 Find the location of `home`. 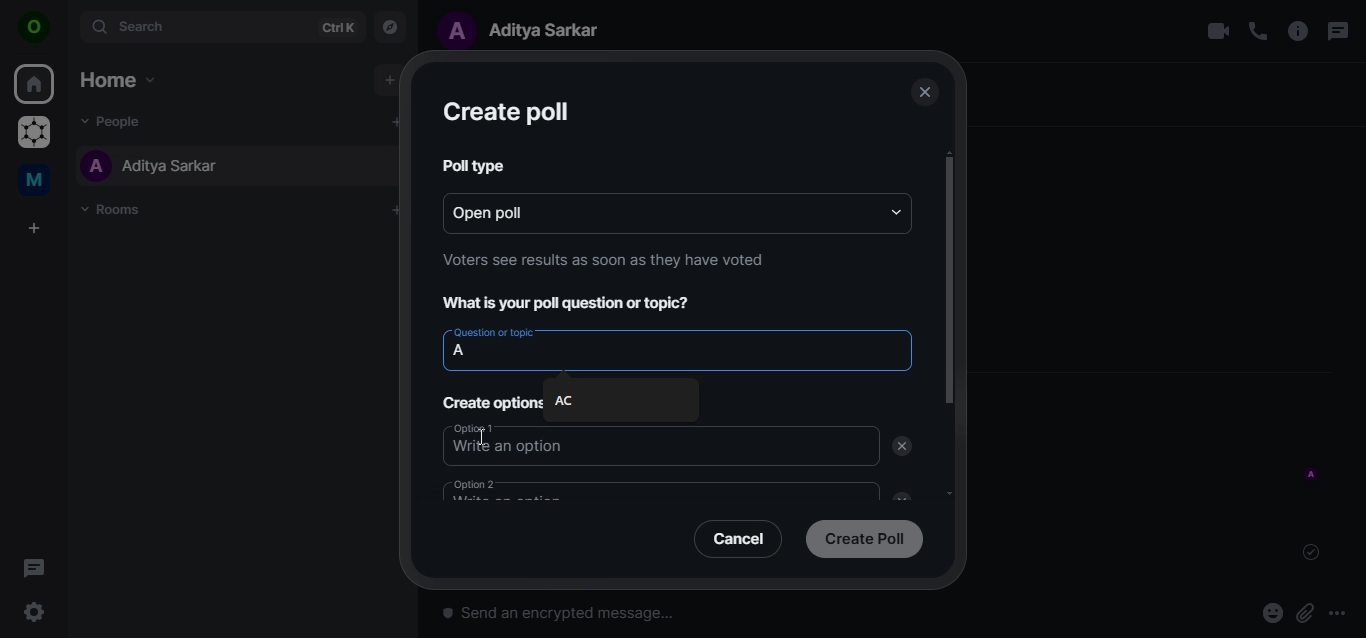

home is located at coordinates (36, 85).